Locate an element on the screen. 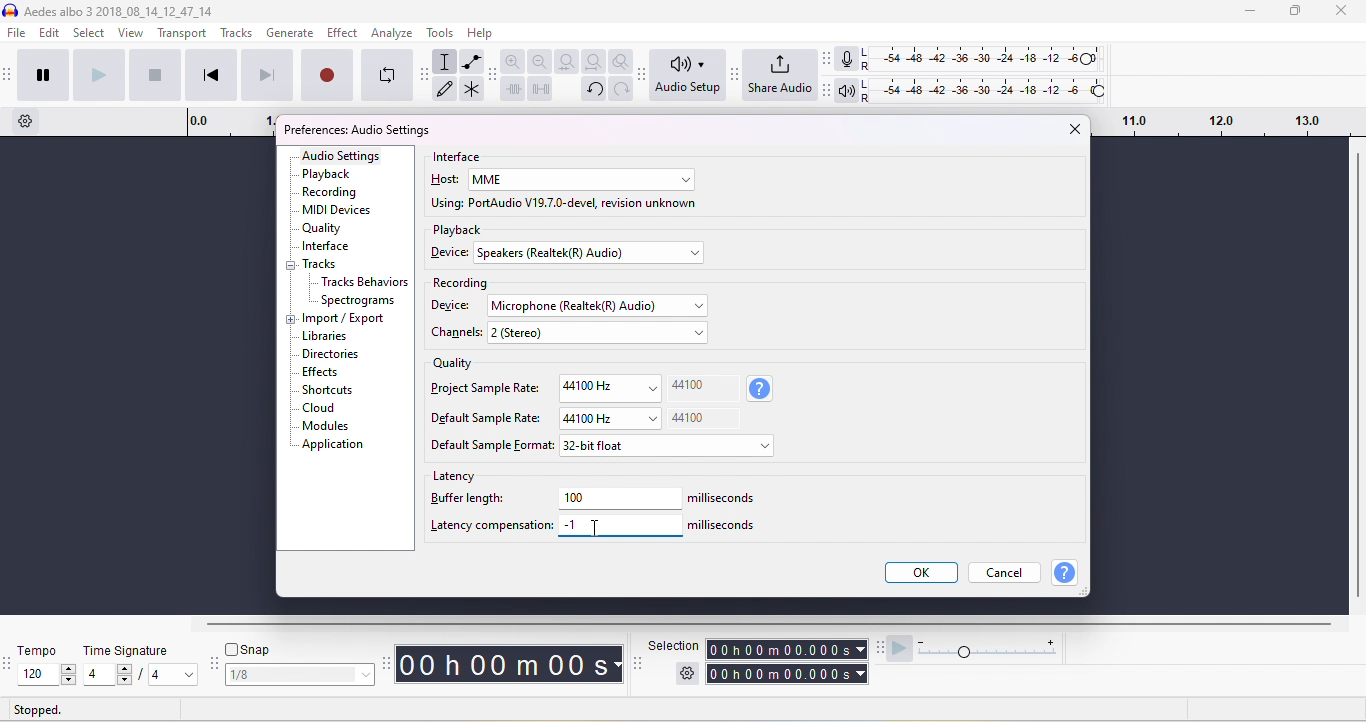 This screenshot has width=1366, height=722. view is located at coordinates (132, 32).